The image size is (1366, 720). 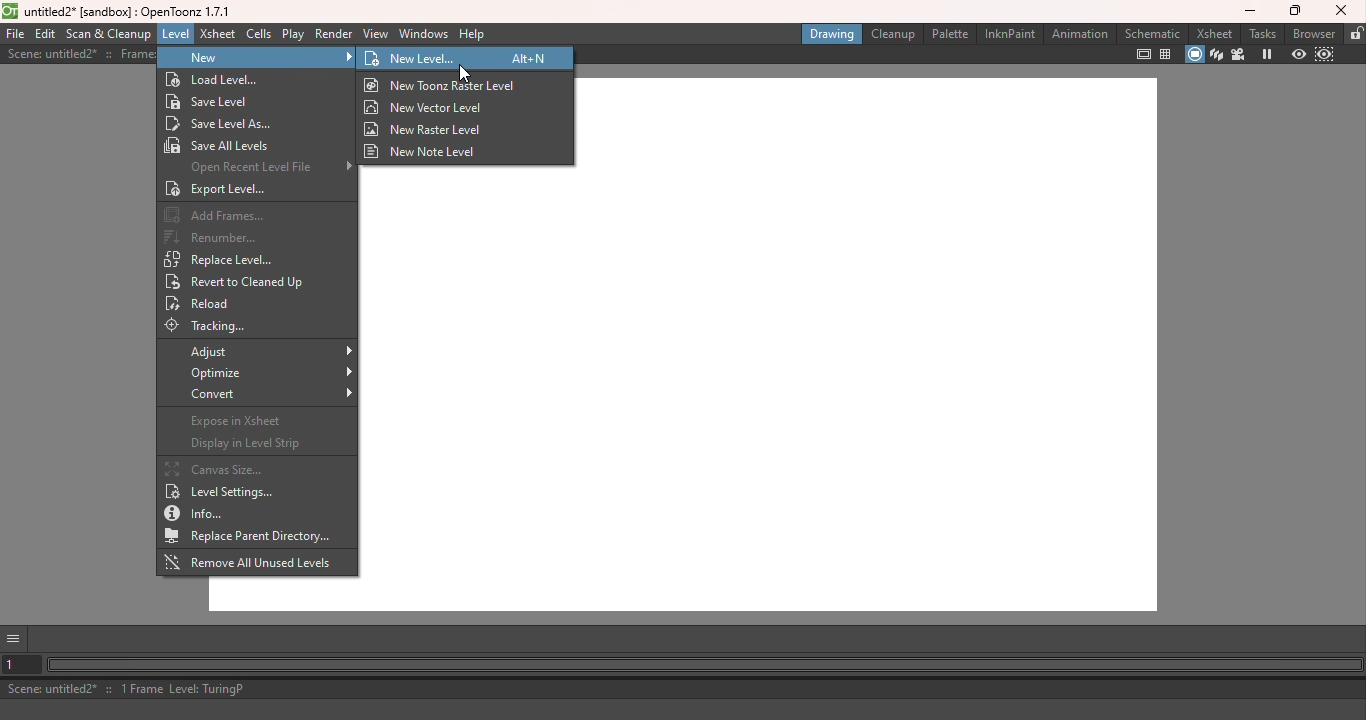 What do you see at coordinates (1142, 54) in the screenshot?
I see `Safe area` at bounding box center [1142, 54].